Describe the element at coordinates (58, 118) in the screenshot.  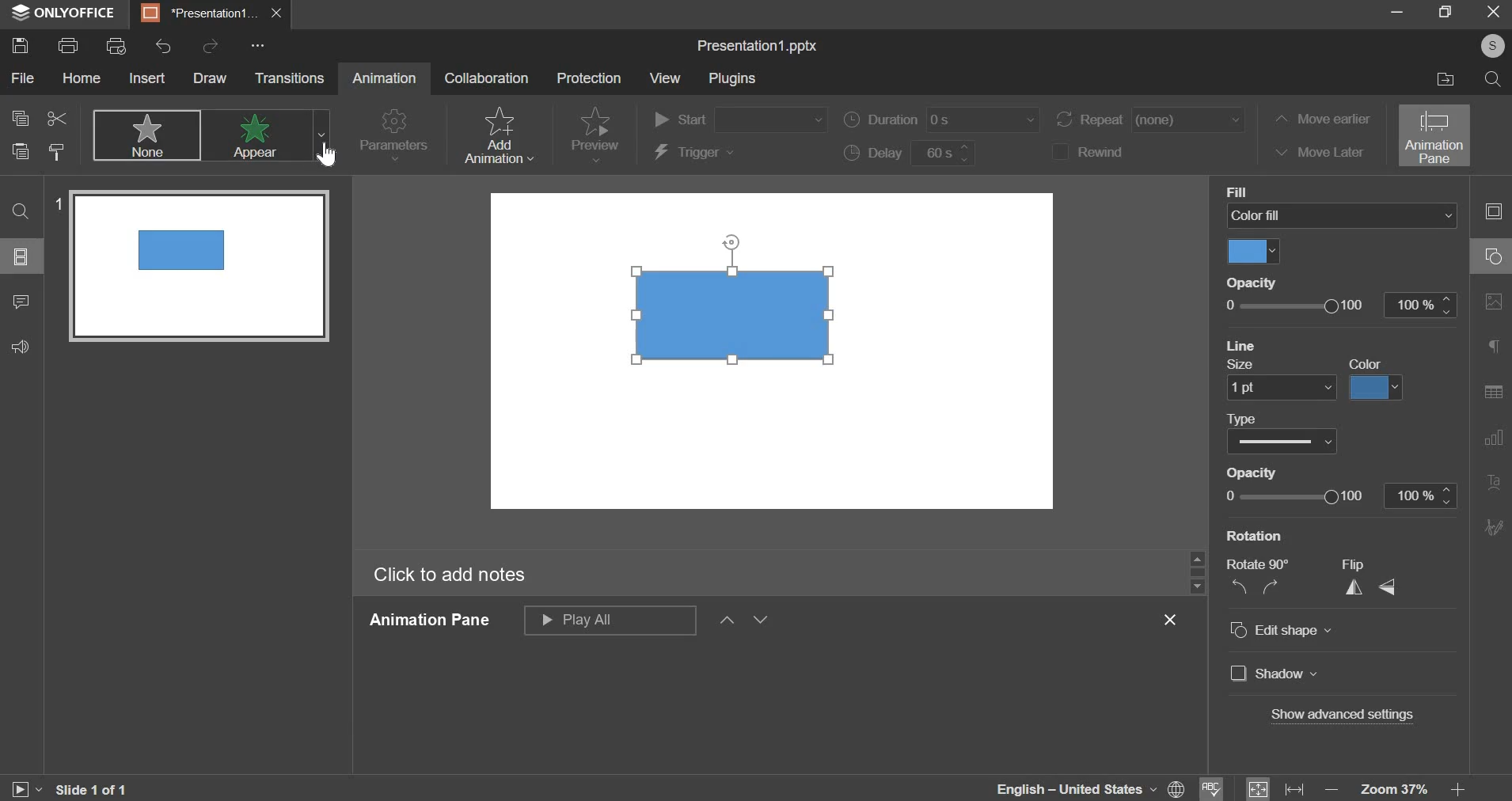
I see `cut` at that location.